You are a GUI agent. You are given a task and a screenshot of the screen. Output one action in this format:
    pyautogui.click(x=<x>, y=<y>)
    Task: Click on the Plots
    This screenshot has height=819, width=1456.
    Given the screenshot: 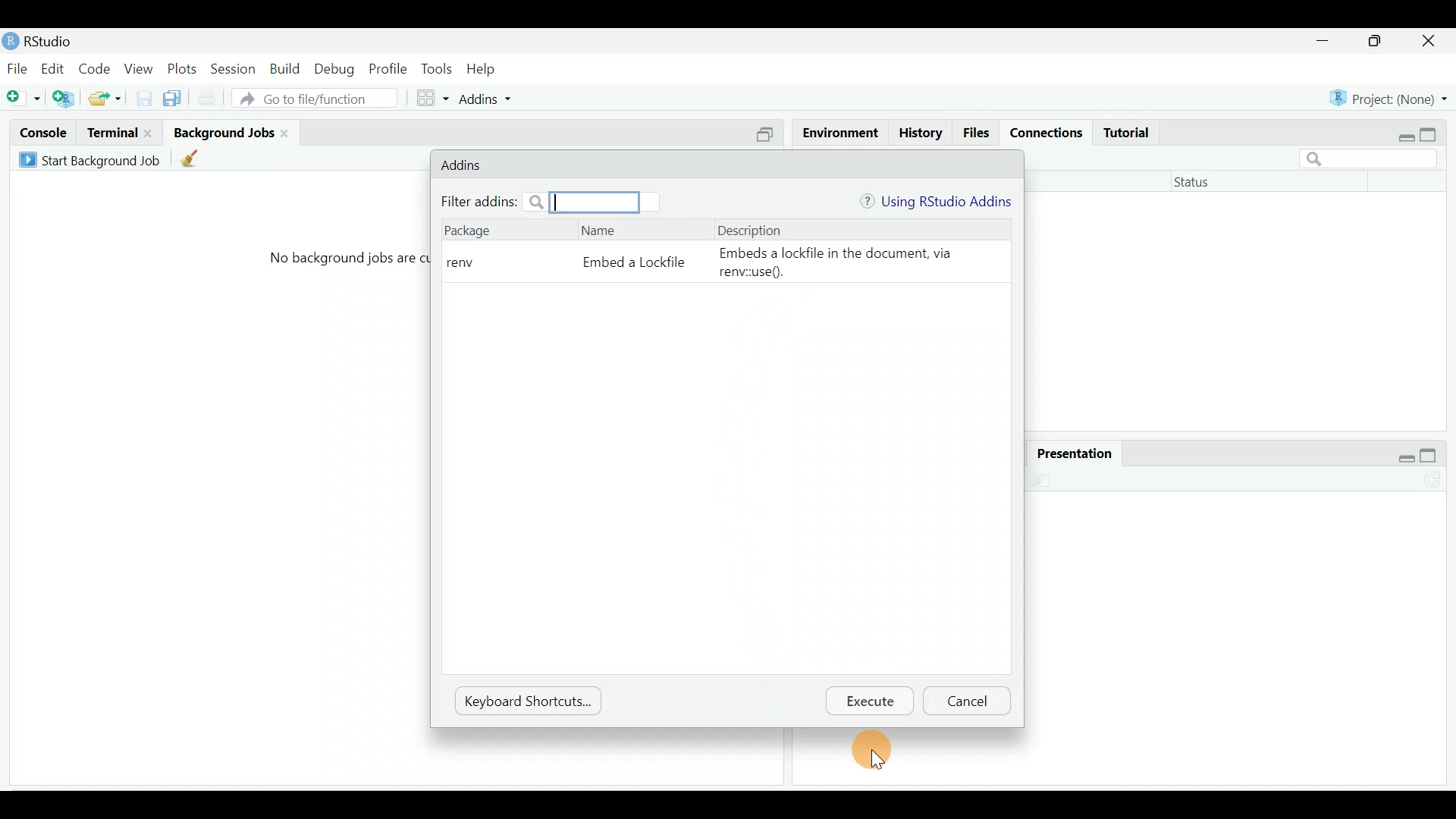 What is the action you would take?
    pyautogui.click(x=185, y=69)
    